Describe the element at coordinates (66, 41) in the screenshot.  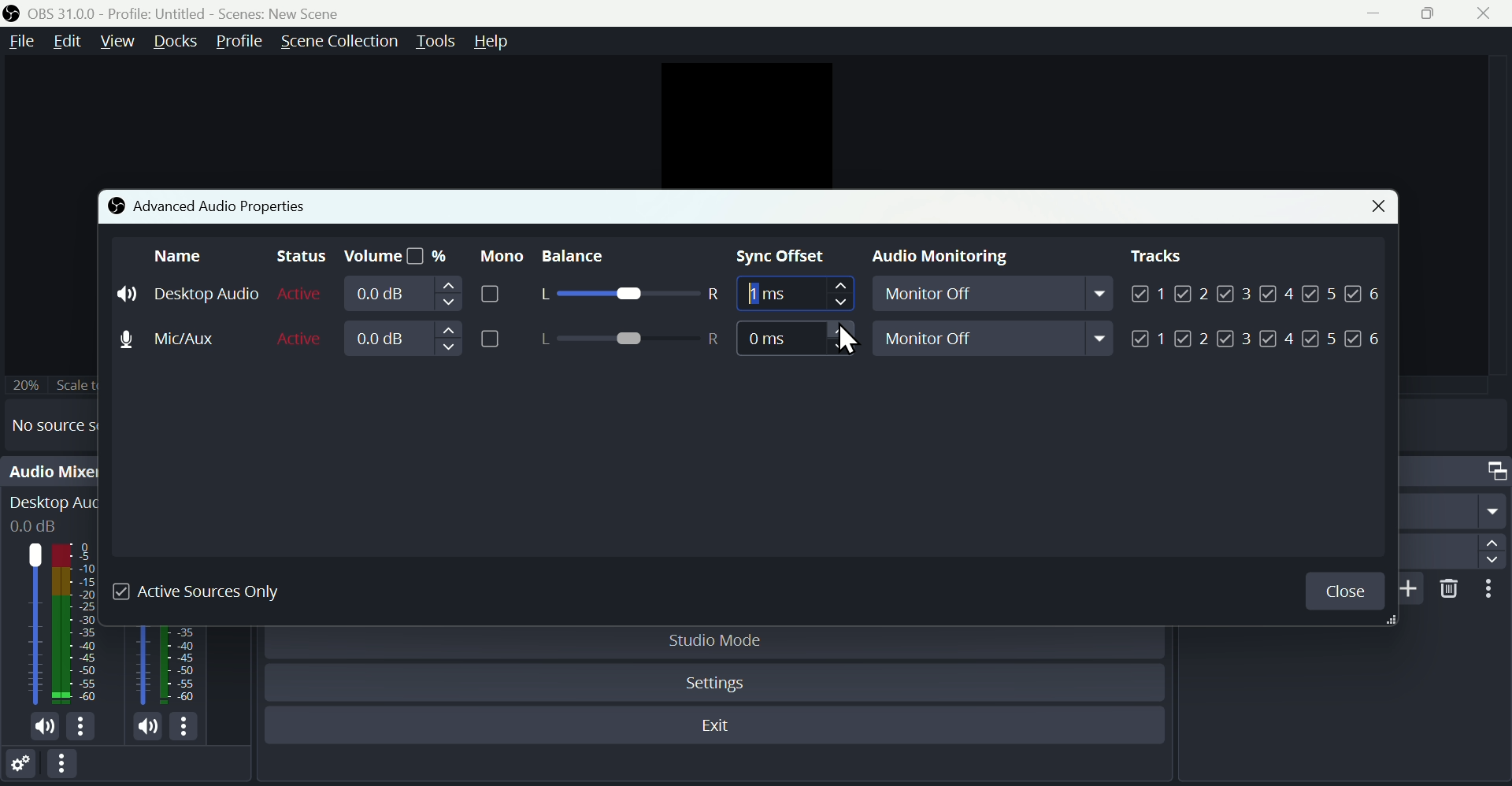
I see `Edit` at that location.